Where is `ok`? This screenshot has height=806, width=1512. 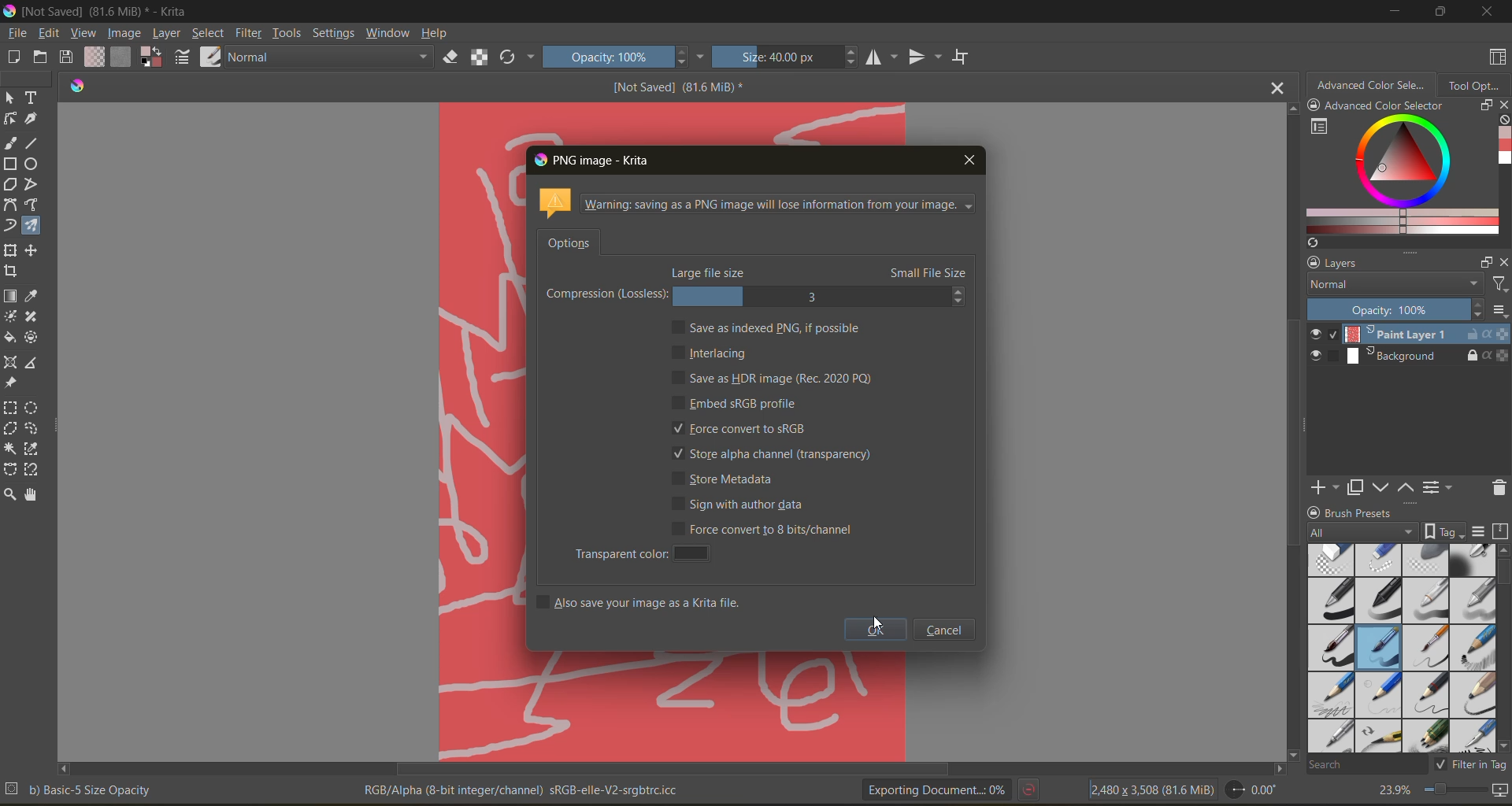 ok is located at coordinates (878, 628).